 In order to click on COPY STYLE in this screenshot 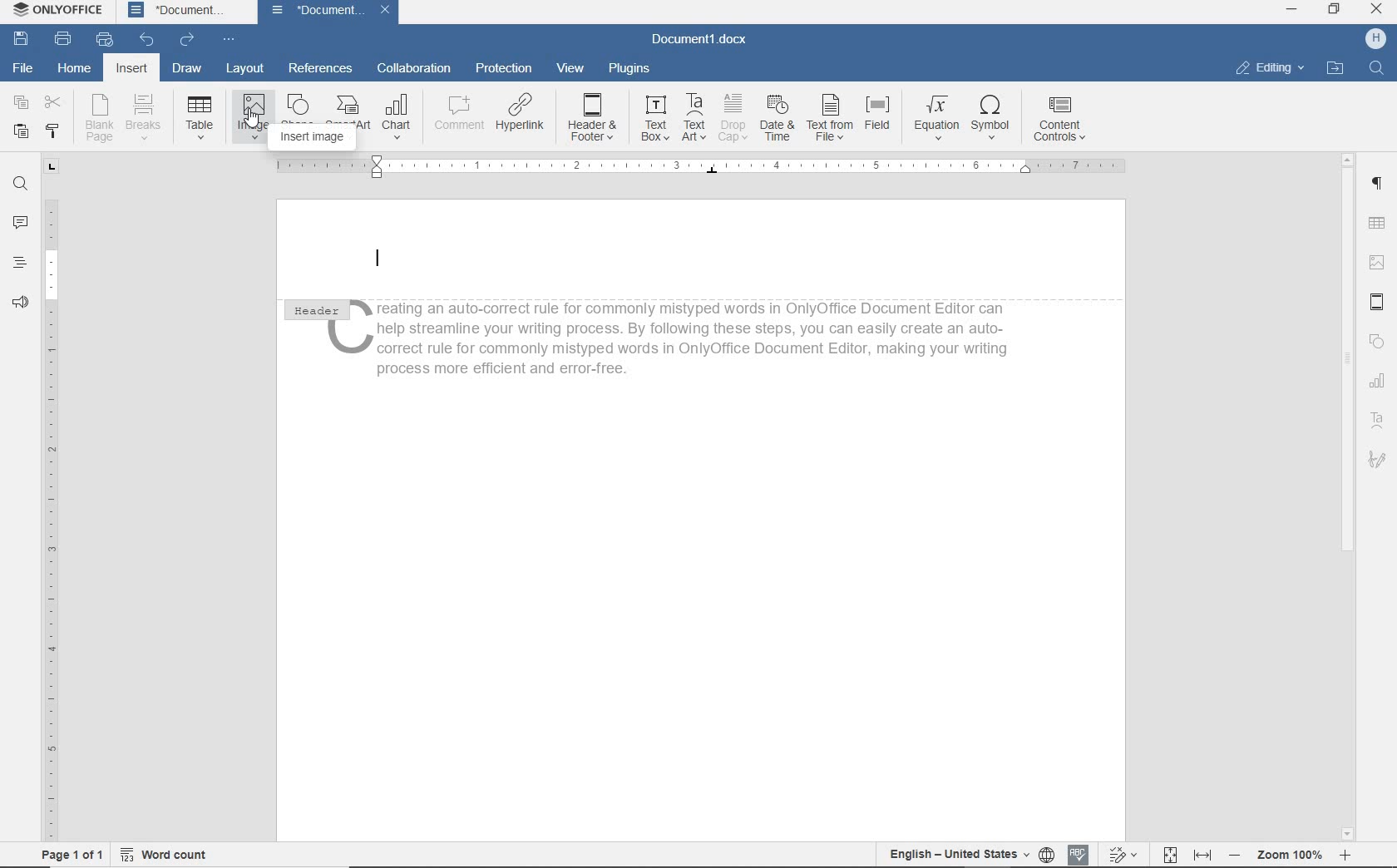, I will do `click(55, 131)`.